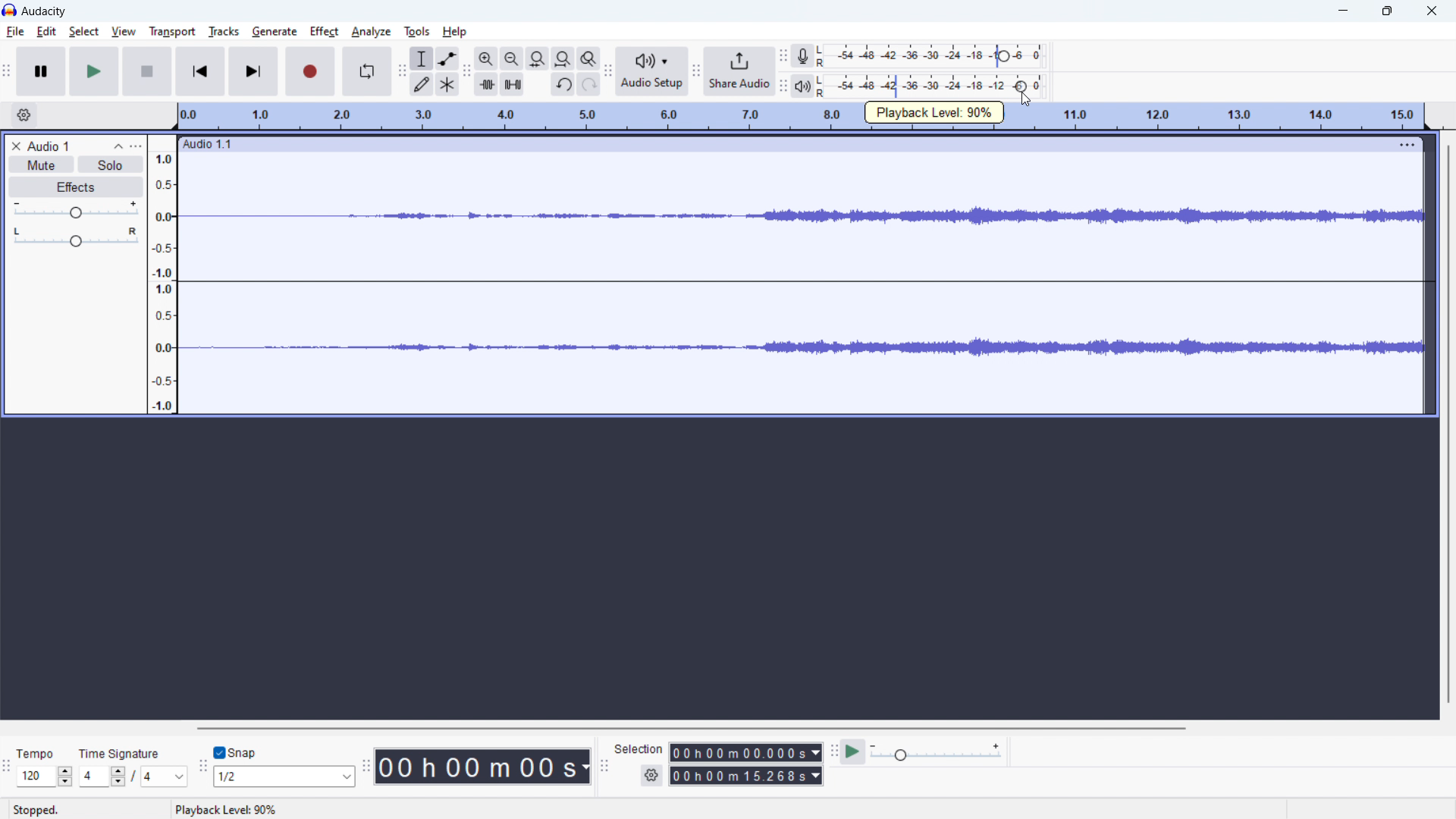 The height and width of the screenshot is (819, 1456). What do you see at coordinates (486, 84) in the screenshot?
I see `trim audio outside selection` at bounding box center [486, 84].